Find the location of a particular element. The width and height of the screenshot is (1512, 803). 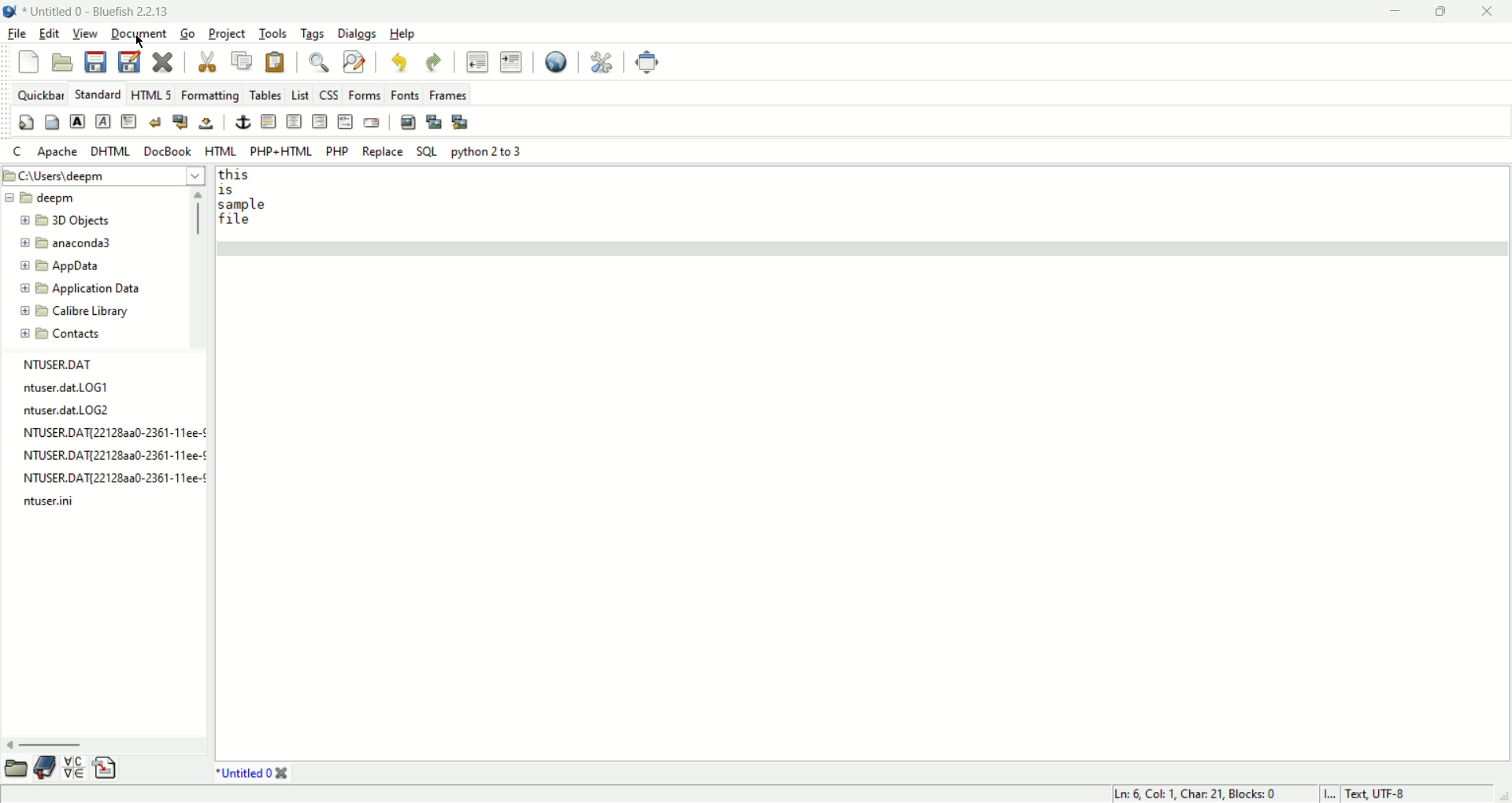

advanced find and replace is located at coordinates (354, 61).